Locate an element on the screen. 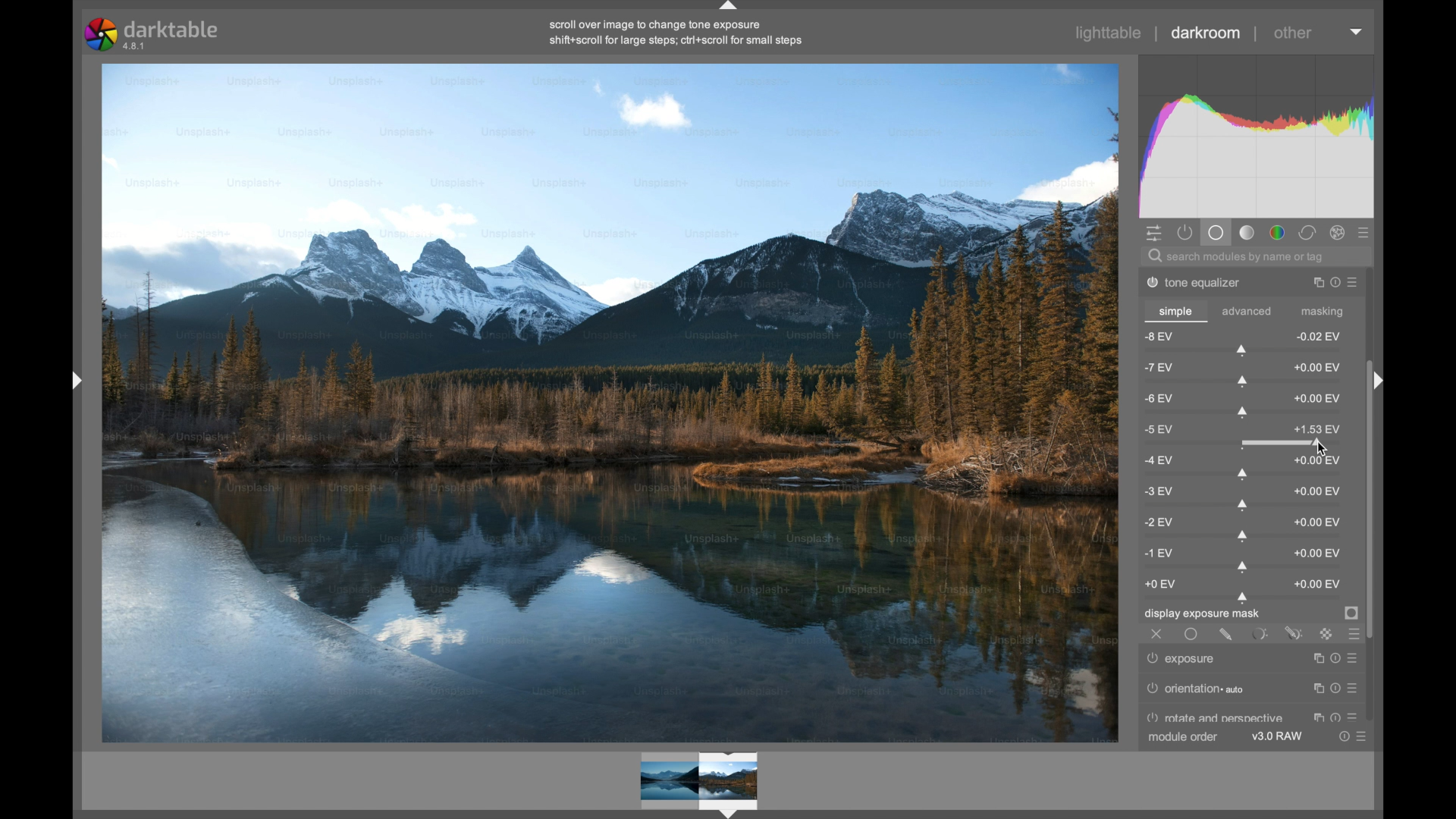 The height and width of the screenshot is (819, 1456). other is located at coordinates (1294, 33).